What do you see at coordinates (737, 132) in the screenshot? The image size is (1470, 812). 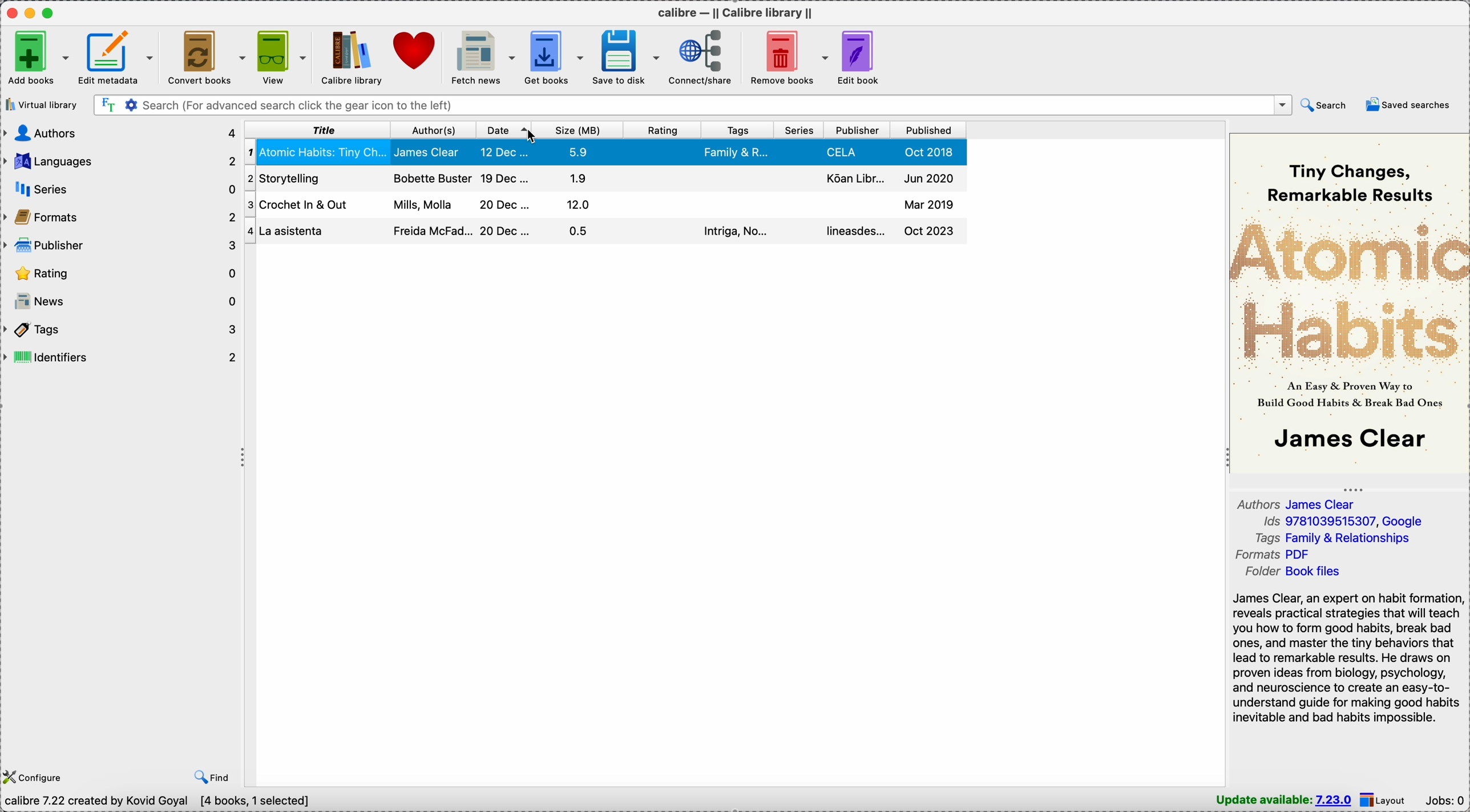 I see `tags` at bounding box center [737, 132].